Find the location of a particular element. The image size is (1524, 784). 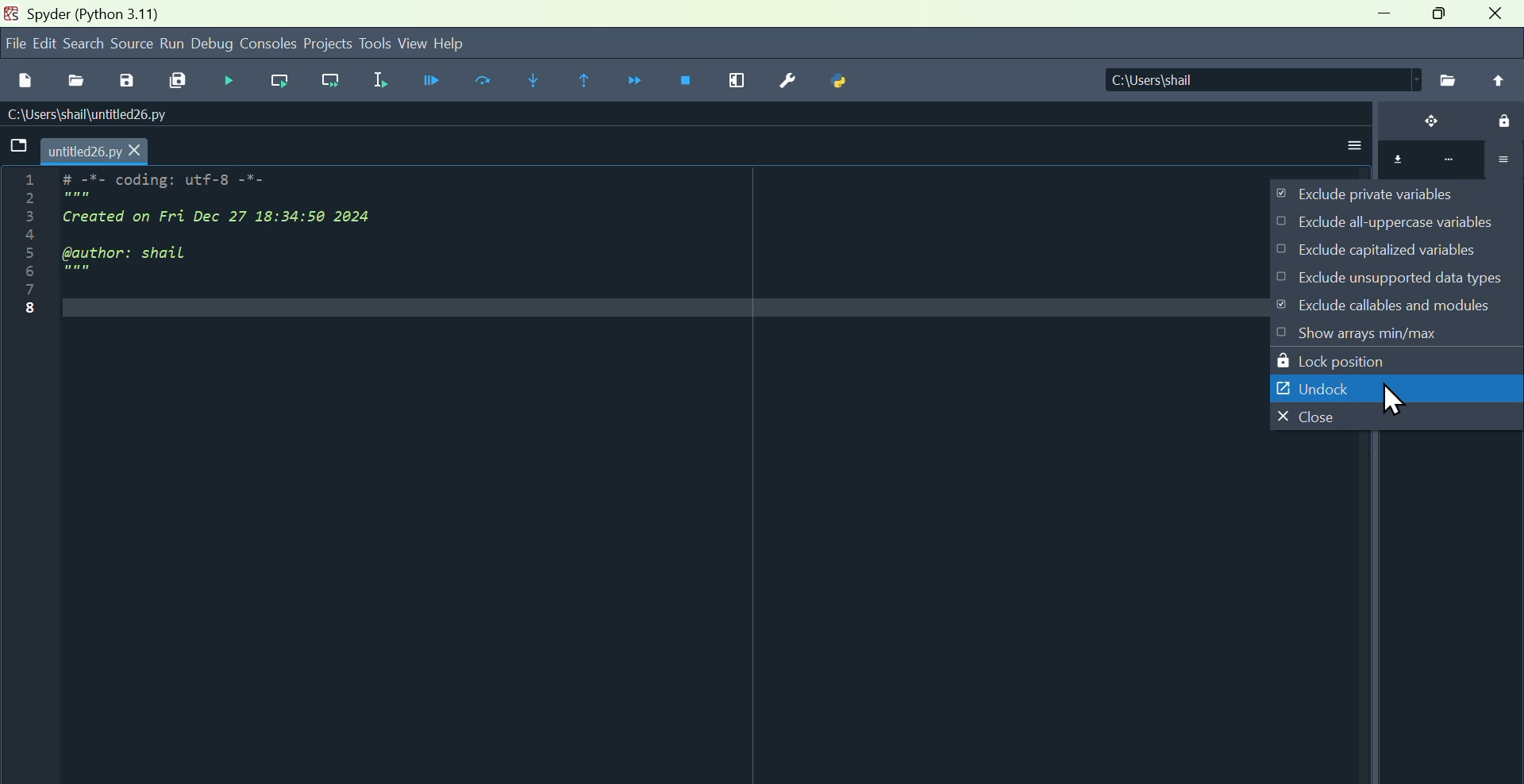

Continue execution until next function is located at coordinates (638, 83).